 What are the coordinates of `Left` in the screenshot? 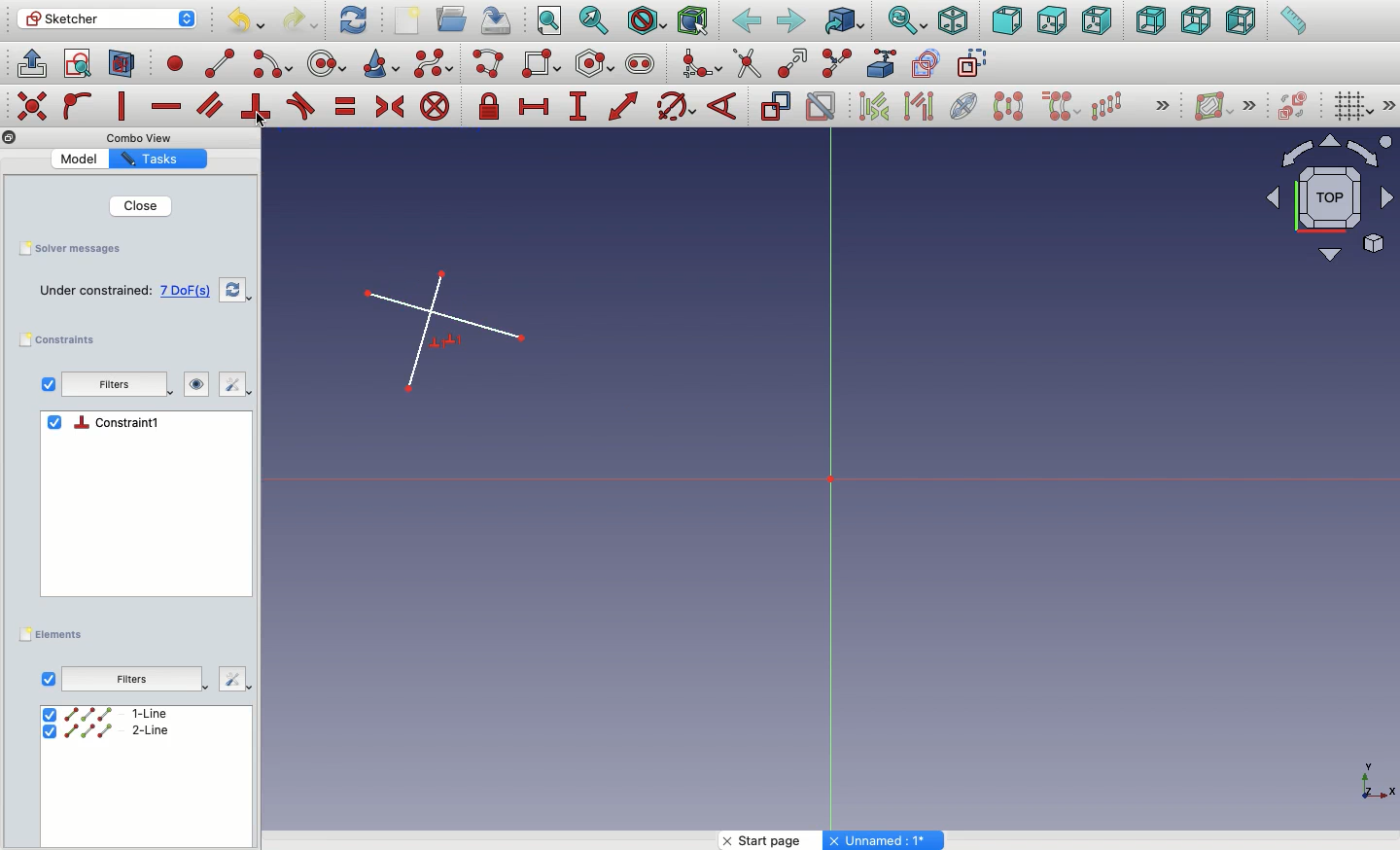 It's located at (1242, 22).